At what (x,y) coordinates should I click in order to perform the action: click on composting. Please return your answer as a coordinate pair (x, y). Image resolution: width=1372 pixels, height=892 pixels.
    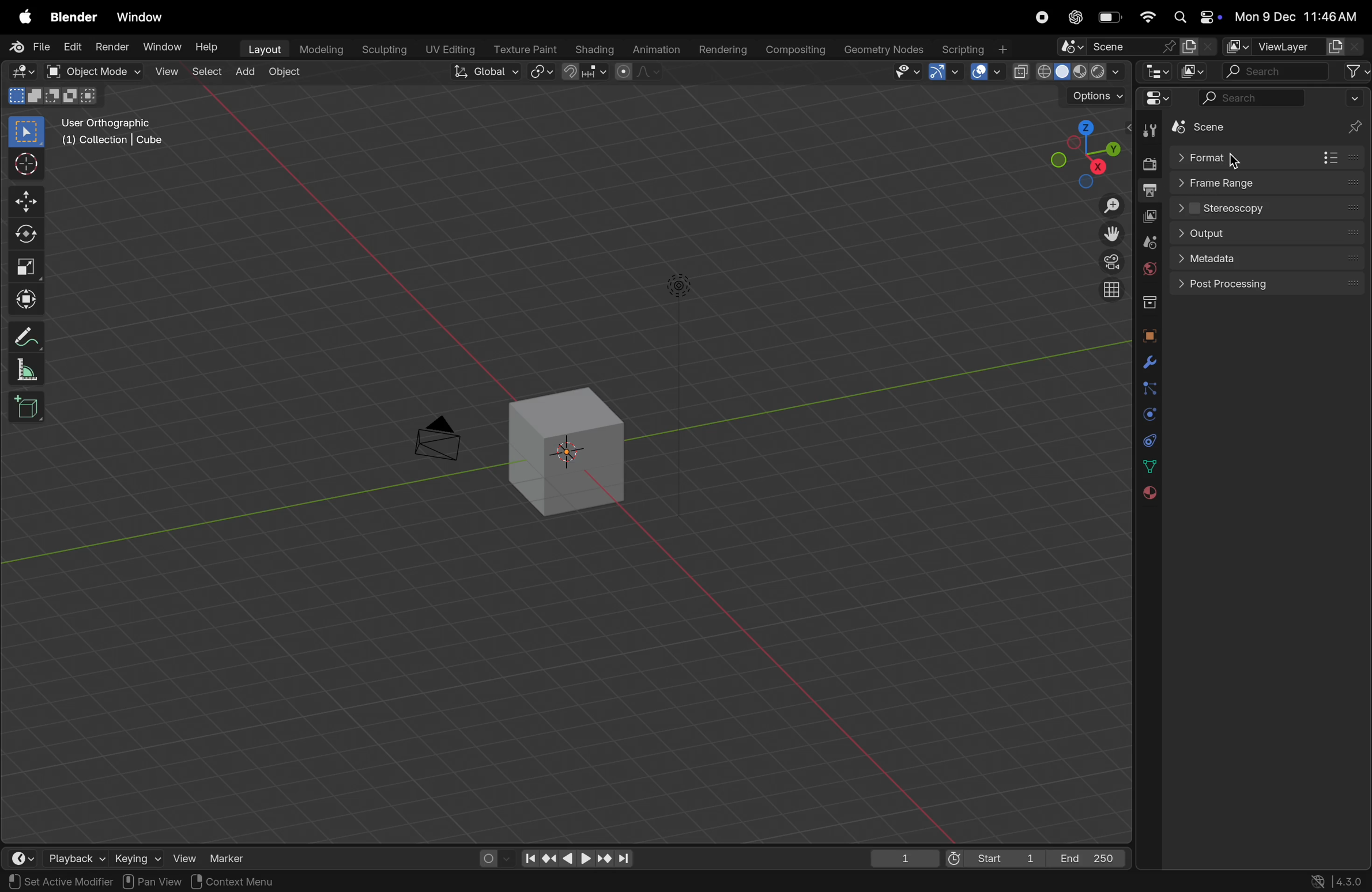
    Looking at the image, I should click on (797, 50).